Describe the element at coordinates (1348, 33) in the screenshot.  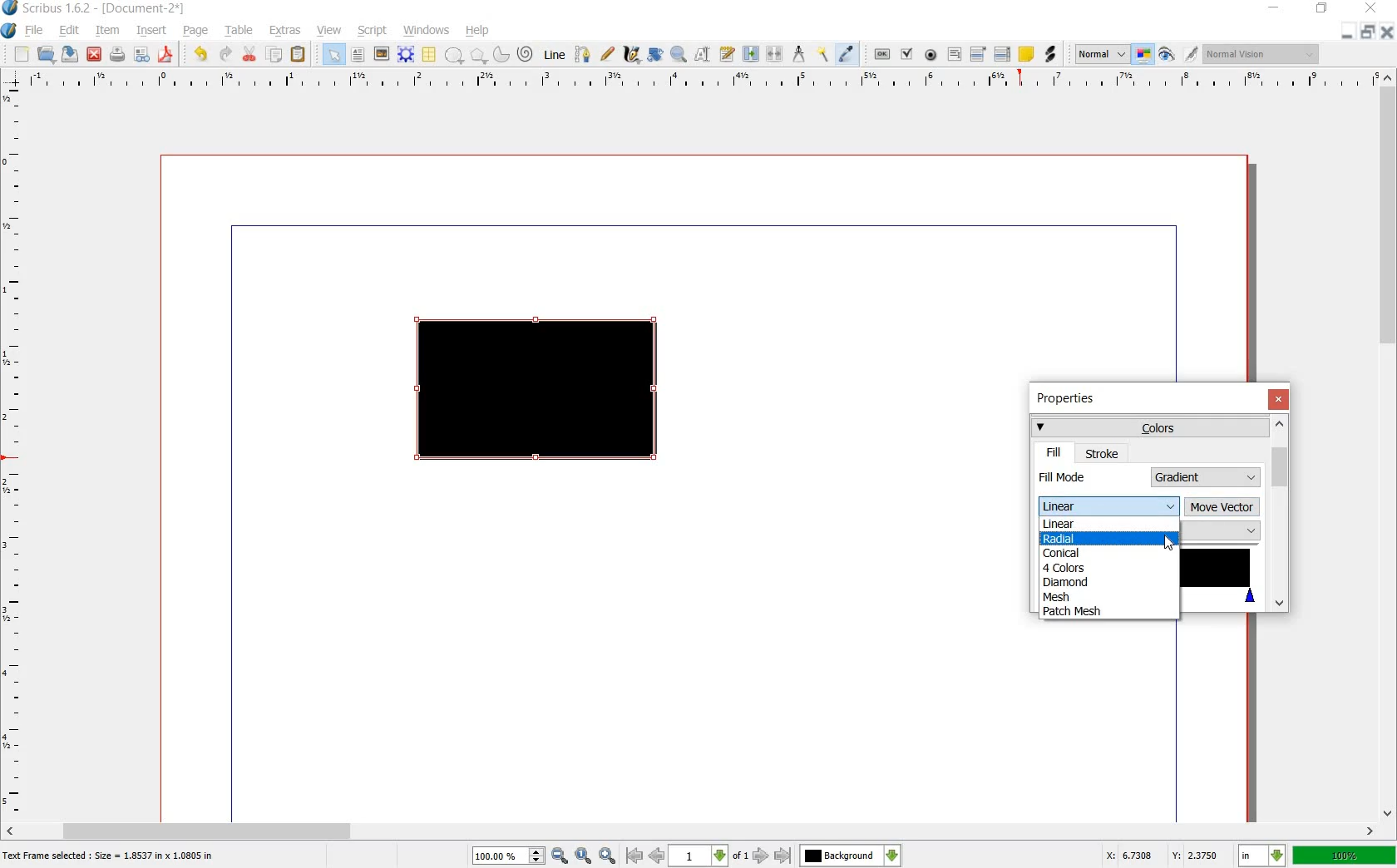
I see `minimize` at that location.